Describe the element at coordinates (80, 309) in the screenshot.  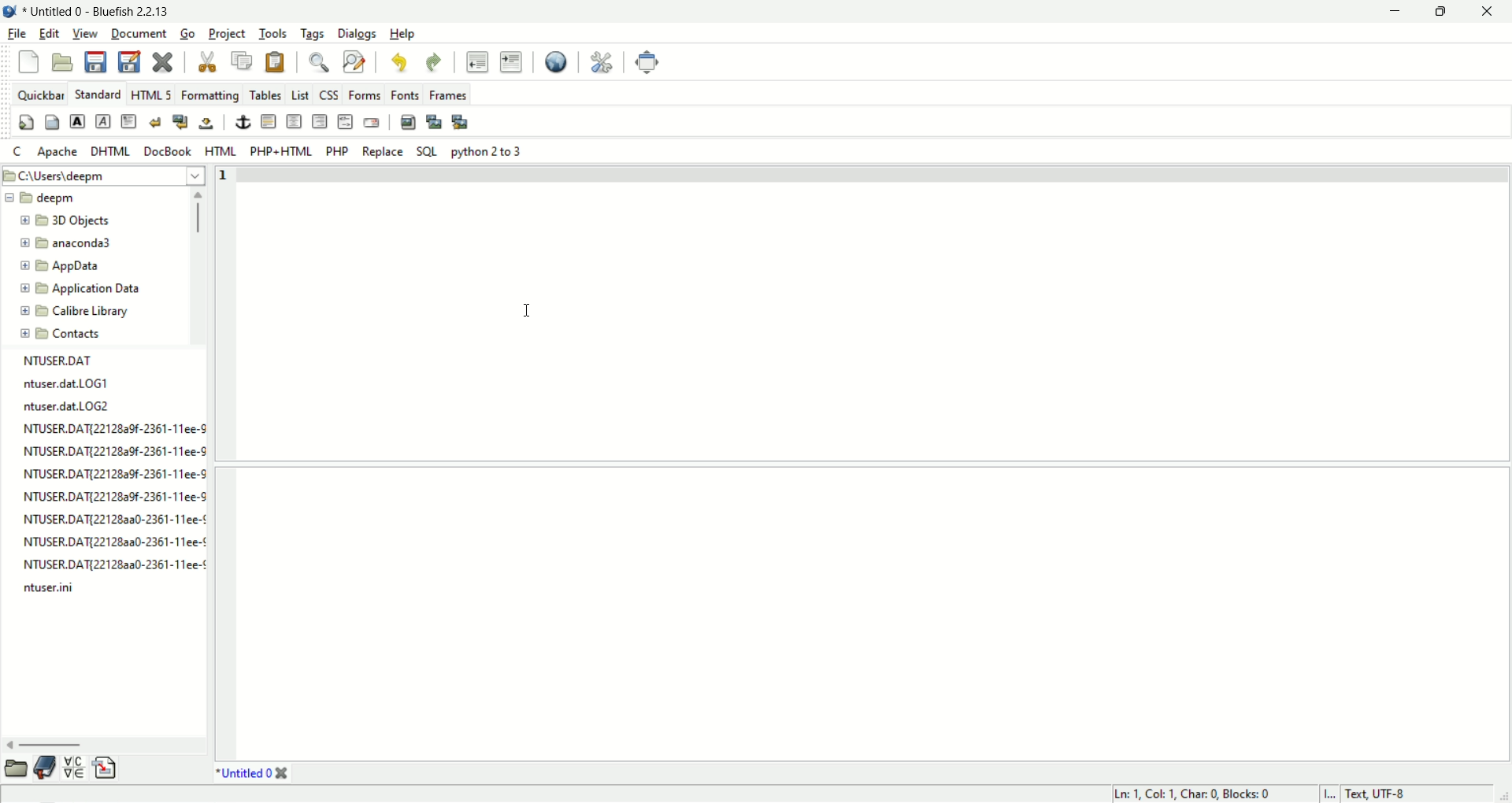
I see `folder name` at that location.